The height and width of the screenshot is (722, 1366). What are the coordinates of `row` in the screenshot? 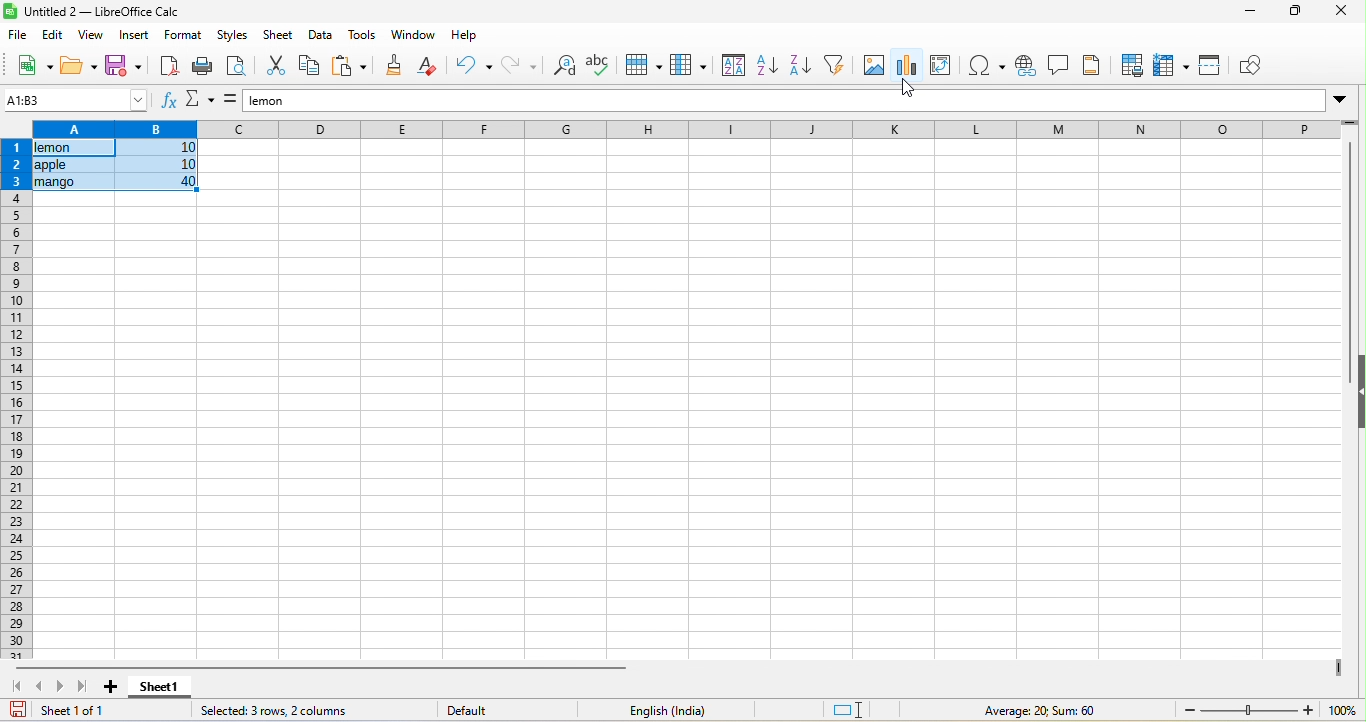 It's located at (648, 65).